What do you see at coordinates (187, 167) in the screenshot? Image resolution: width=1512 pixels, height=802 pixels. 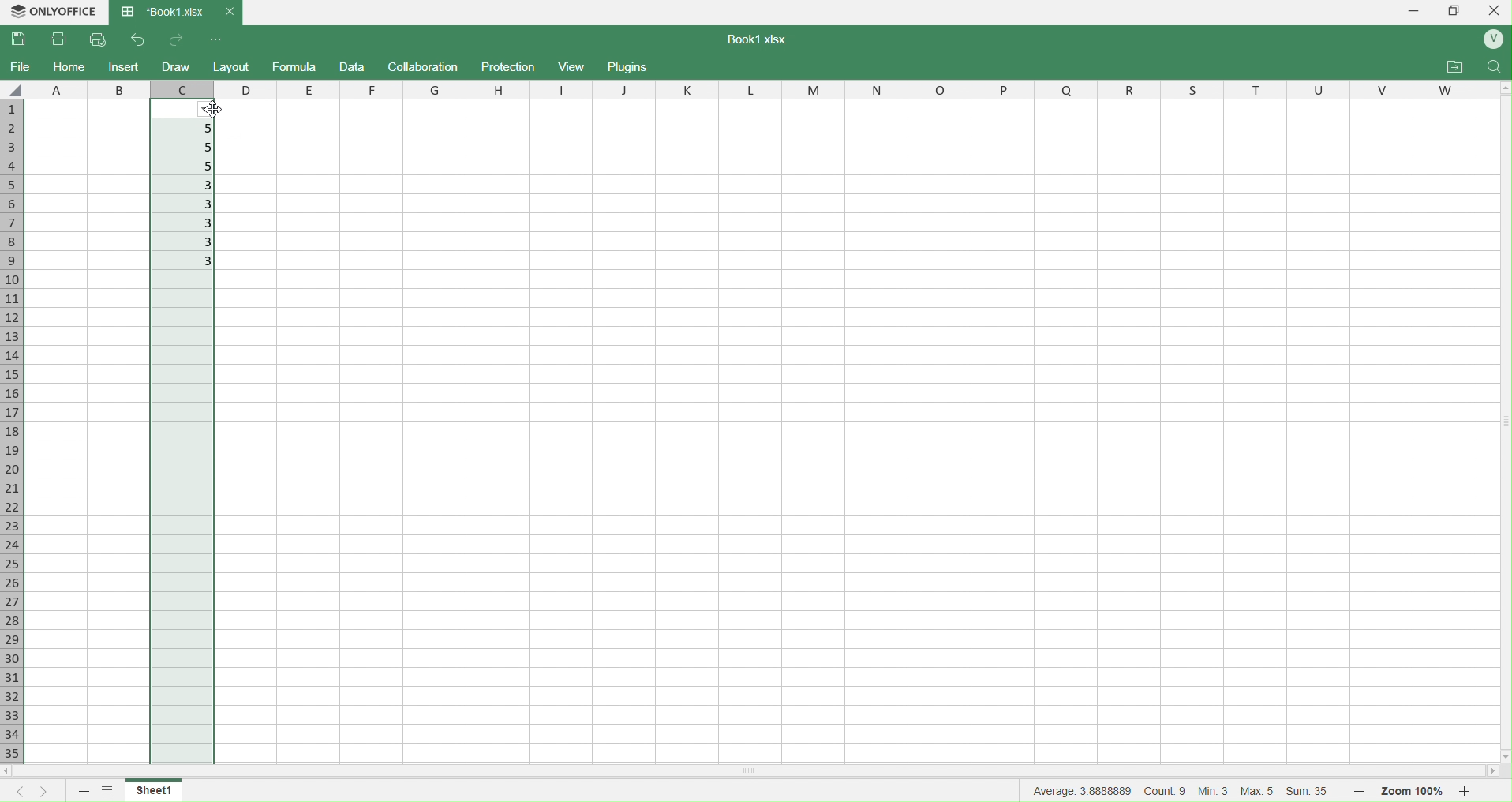 I see `5` at bounding box center [187, 167].